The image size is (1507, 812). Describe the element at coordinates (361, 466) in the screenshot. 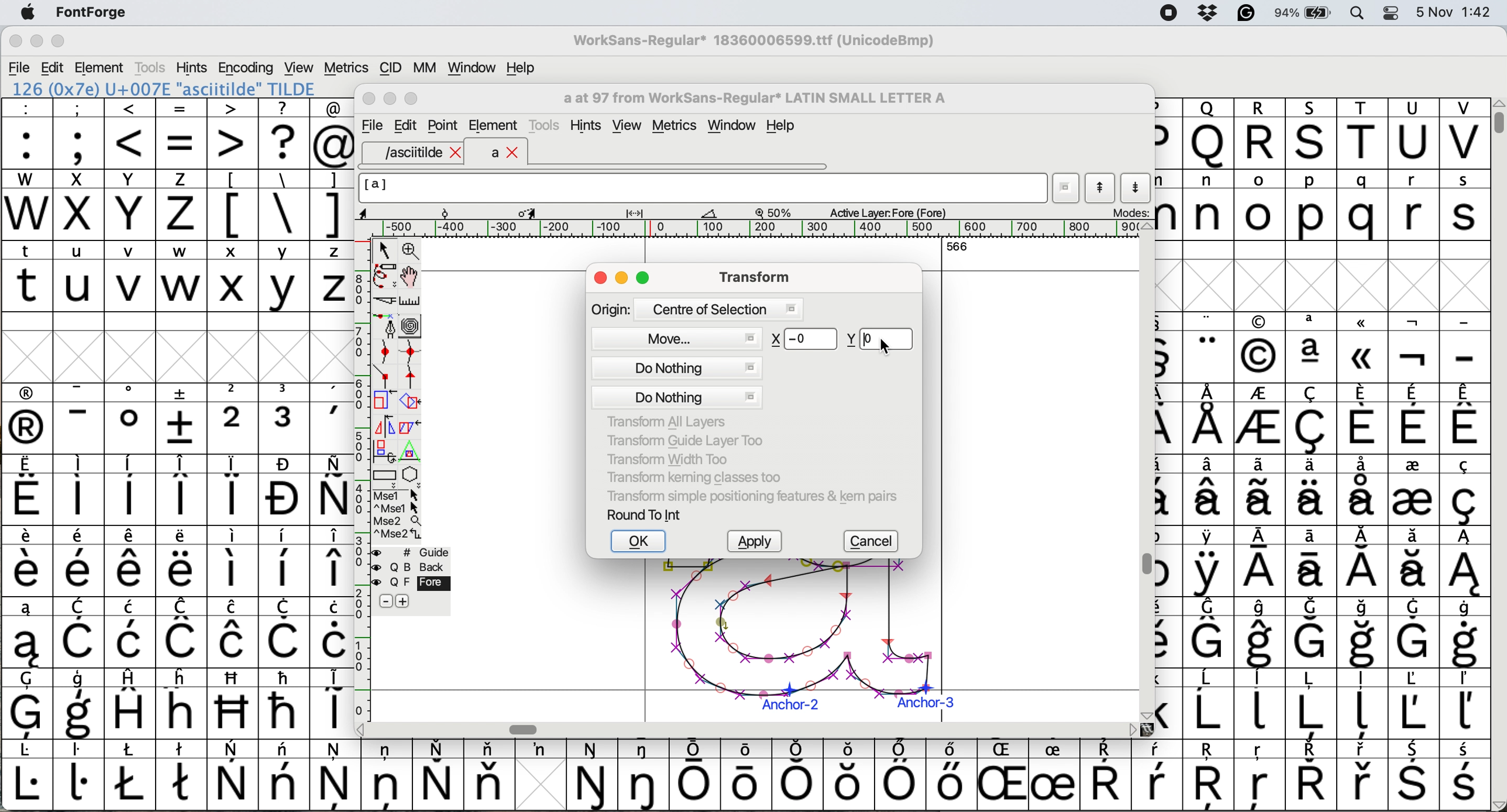

I see `vertical scale` at that location.